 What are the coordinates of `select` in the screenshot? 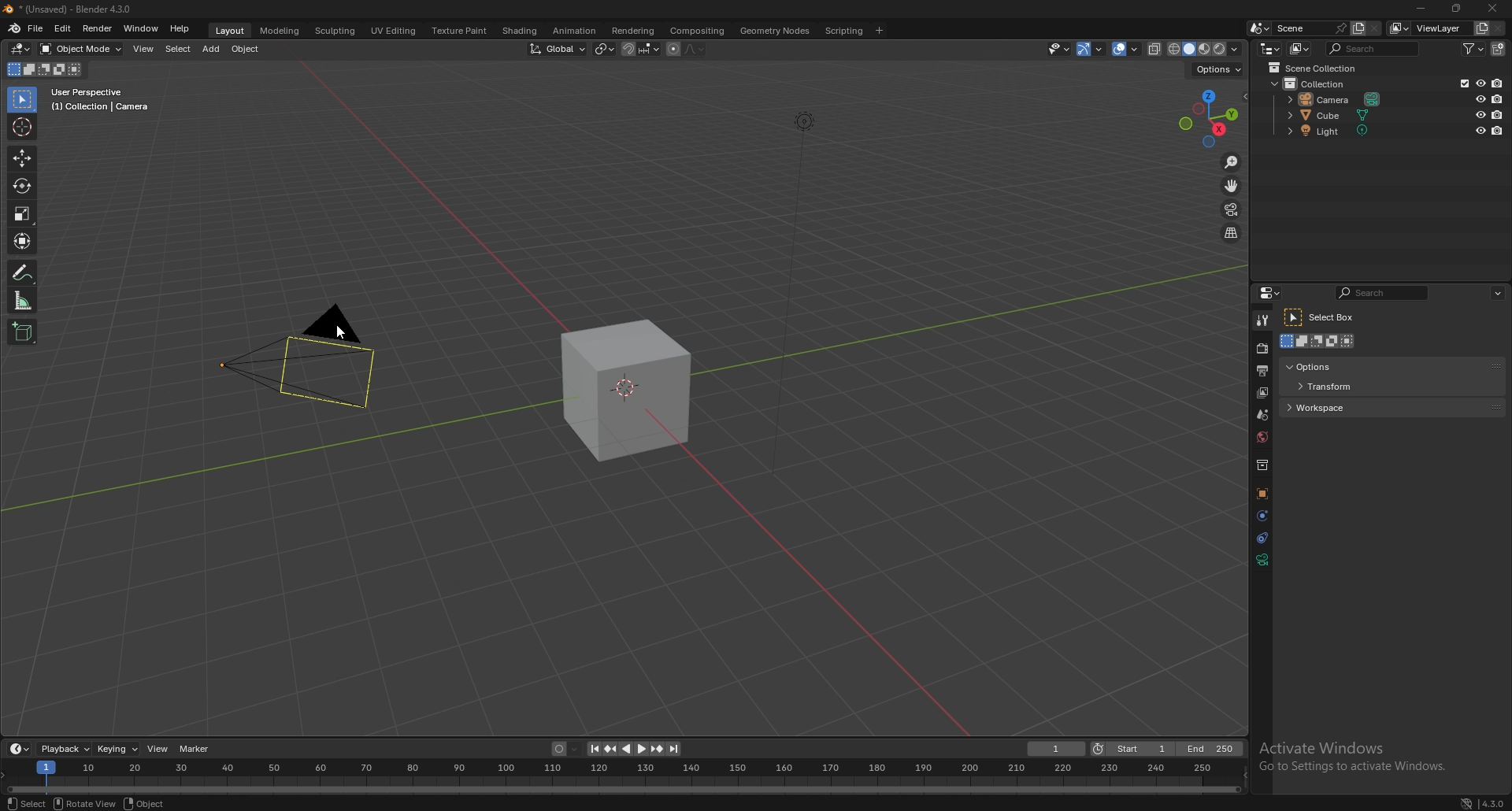 It's located at (26, 803).